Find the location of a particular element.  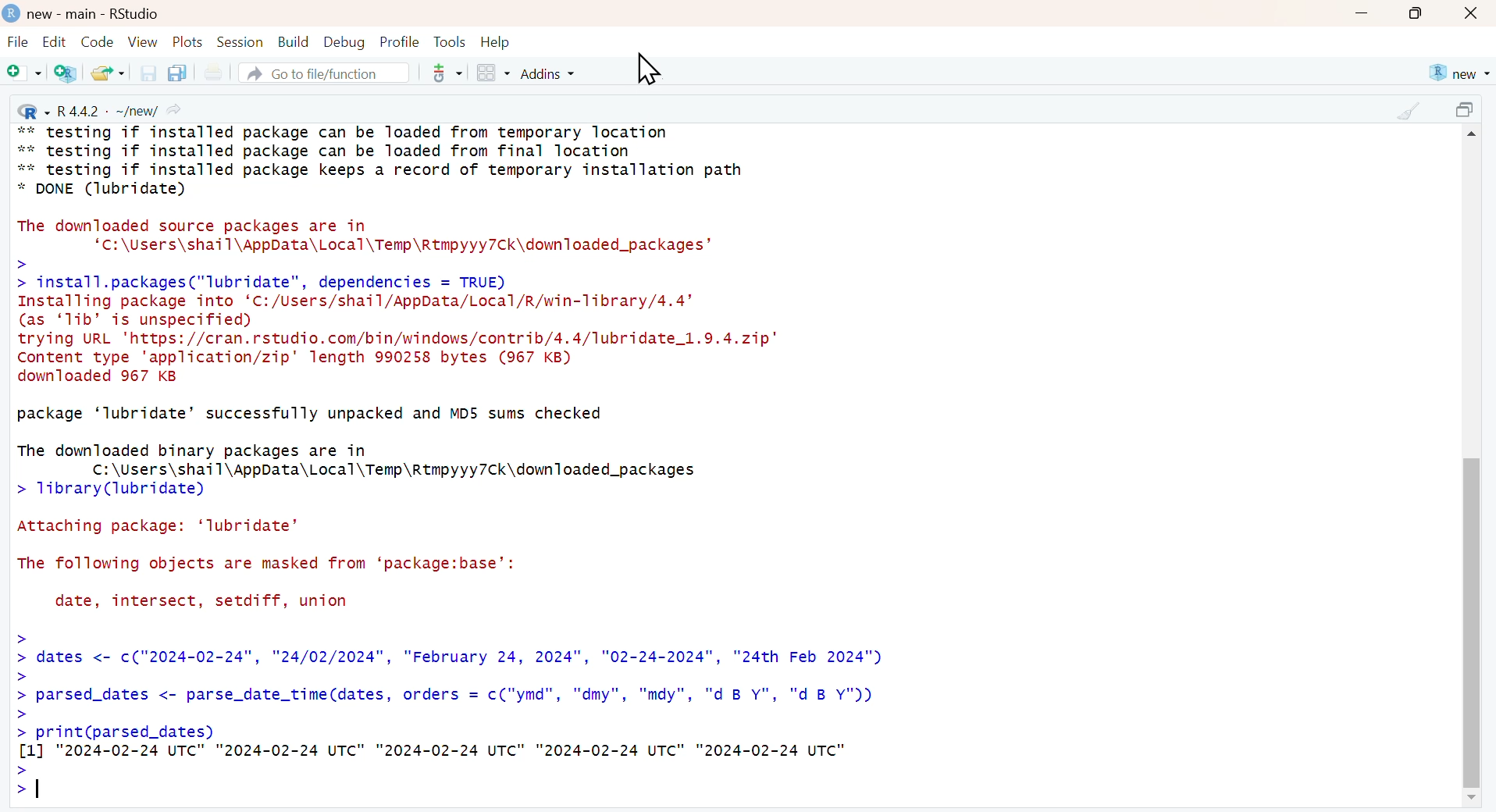

maximize is located at coordinates (1416, 13).